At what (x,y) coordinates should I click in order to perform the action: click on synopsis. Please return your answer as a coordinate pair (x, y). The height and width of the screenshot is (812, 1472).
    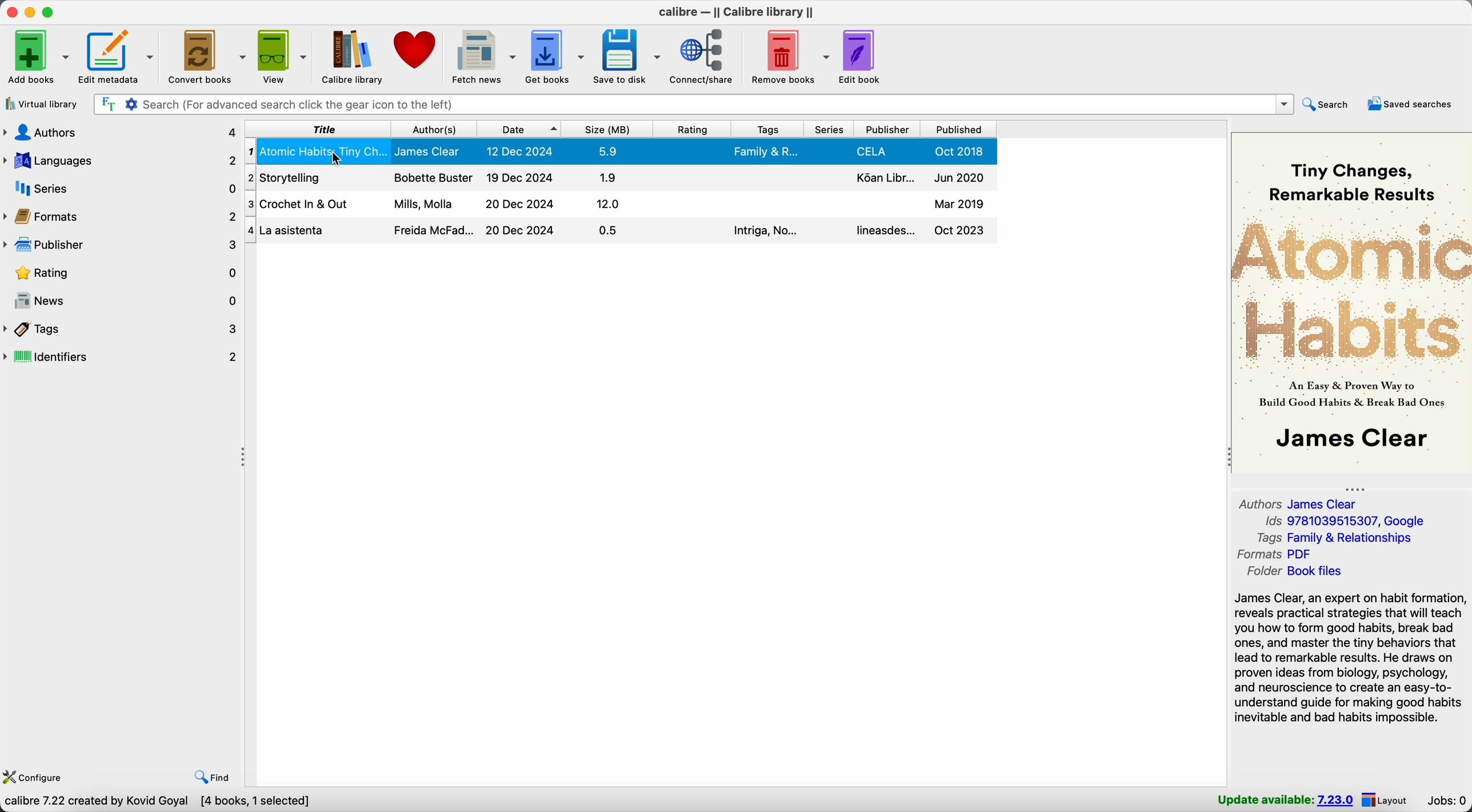
    Looking at the image, I should click on (1350, 658).